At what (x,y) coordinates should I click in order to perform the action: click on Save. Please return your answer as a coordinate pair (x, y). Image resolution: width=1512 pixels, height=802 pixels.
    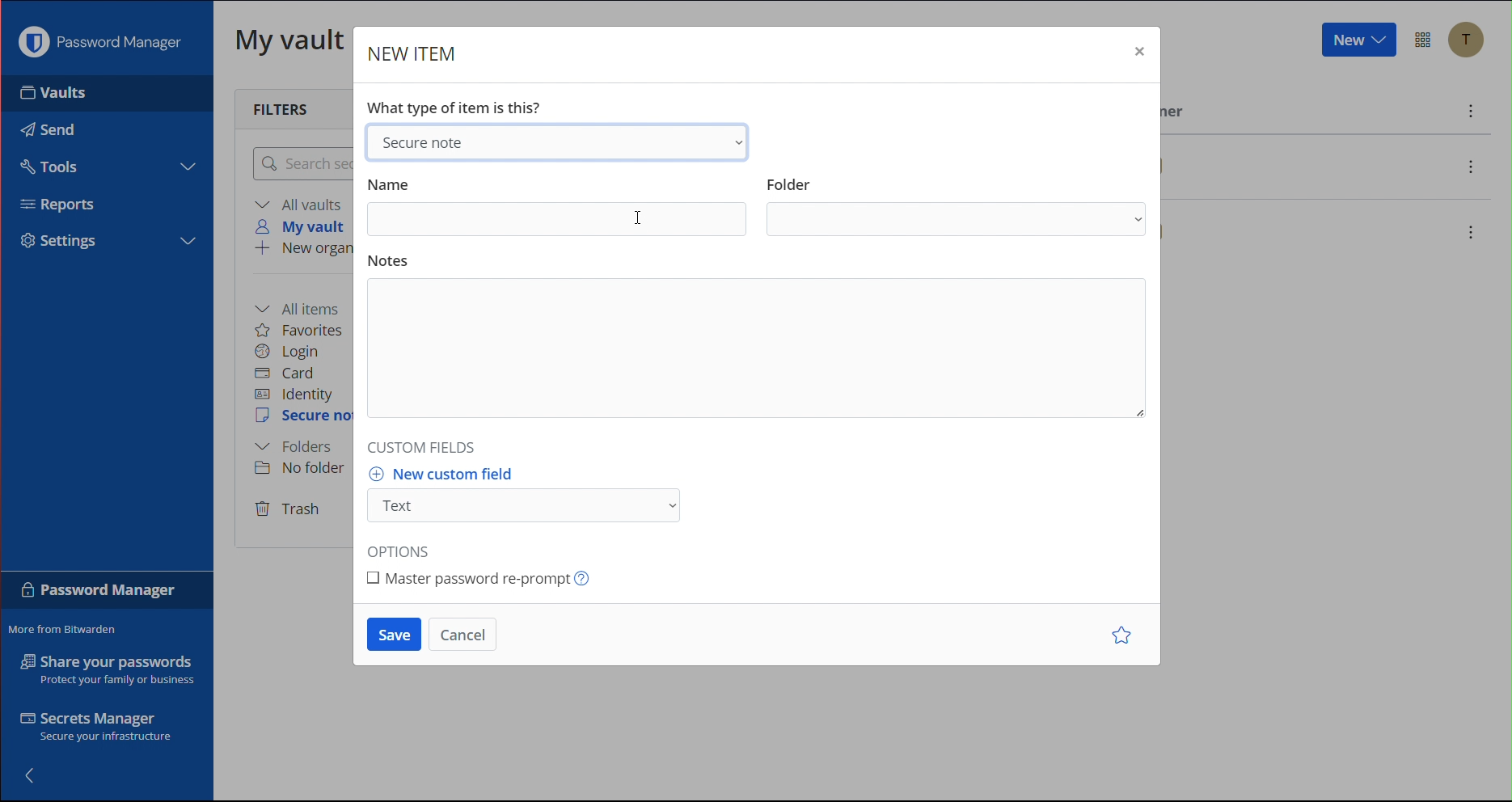
    Looking at the image, I should click on (391, 634).